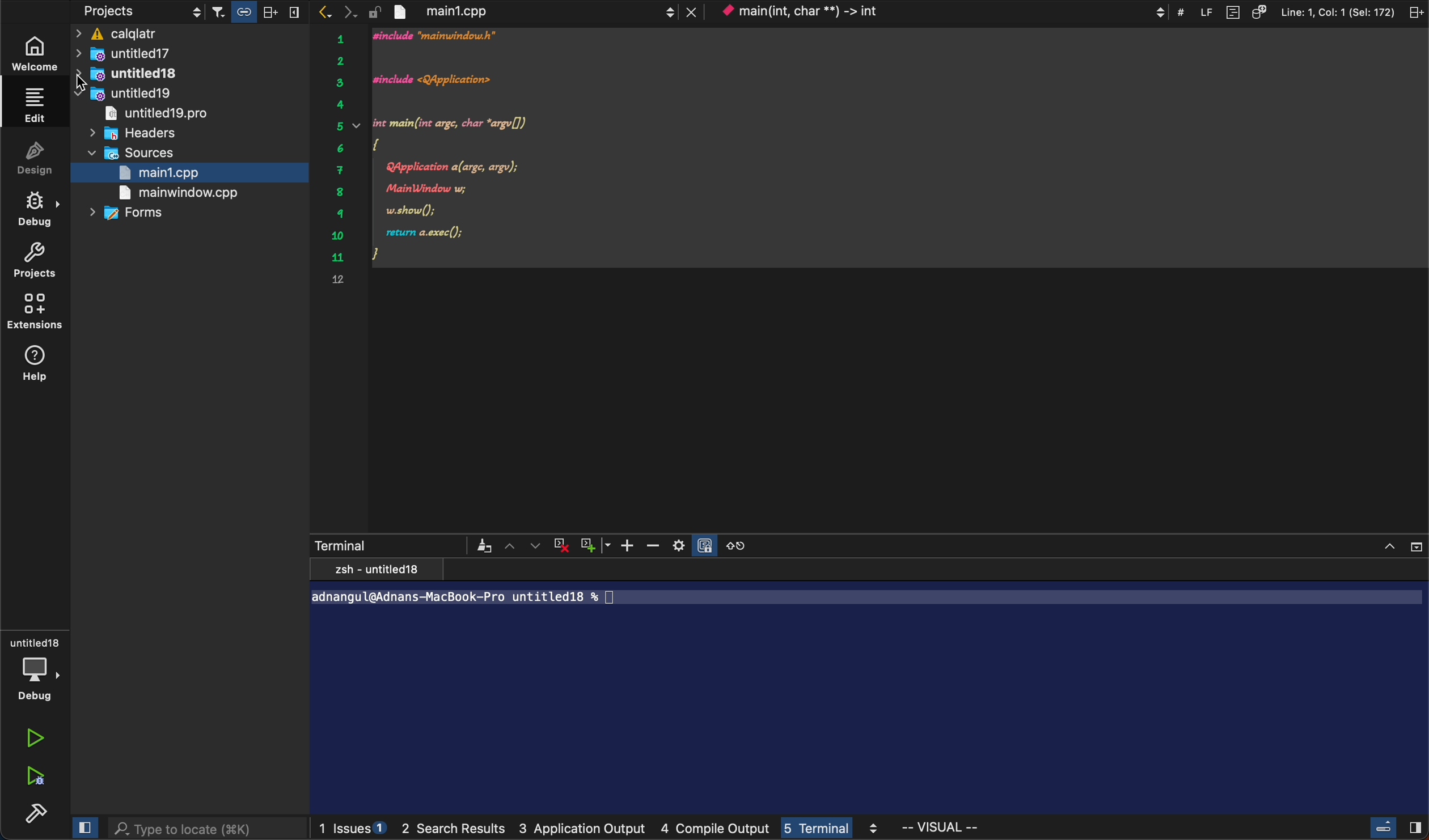 This screenshot has height=840, width=1429. What do you see at coordinates (38, 210) in the screenshot?
I see `debug` at bounding box center [38, 210].